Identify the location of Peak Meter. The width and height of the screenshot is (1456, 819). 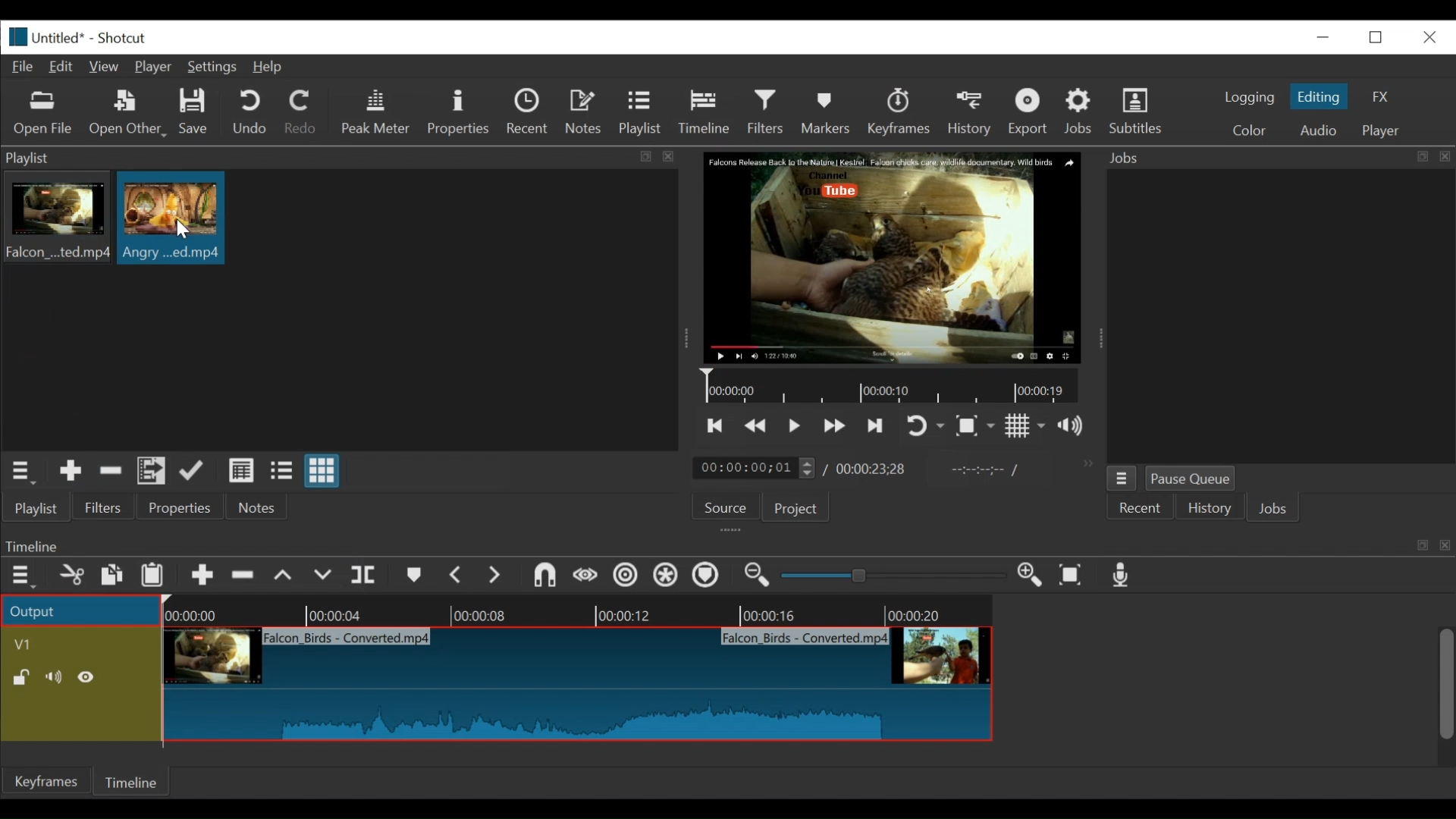
(378, 112).